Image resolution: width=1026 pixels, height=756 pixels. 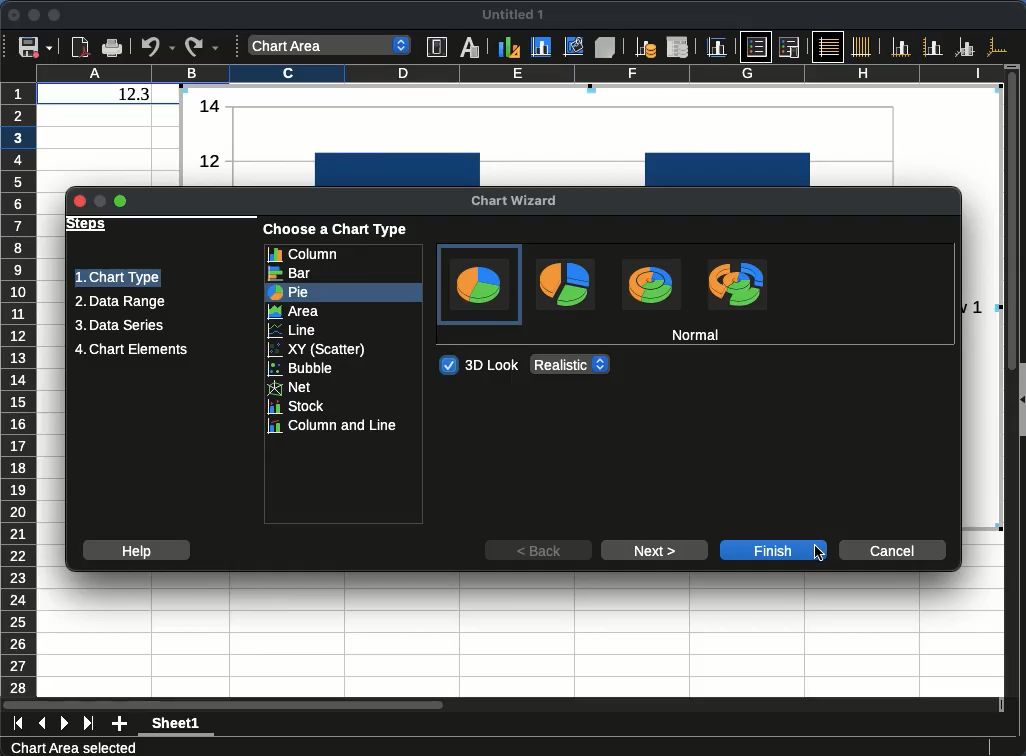 I want to click on Minimize, so click(x=100, y=200).